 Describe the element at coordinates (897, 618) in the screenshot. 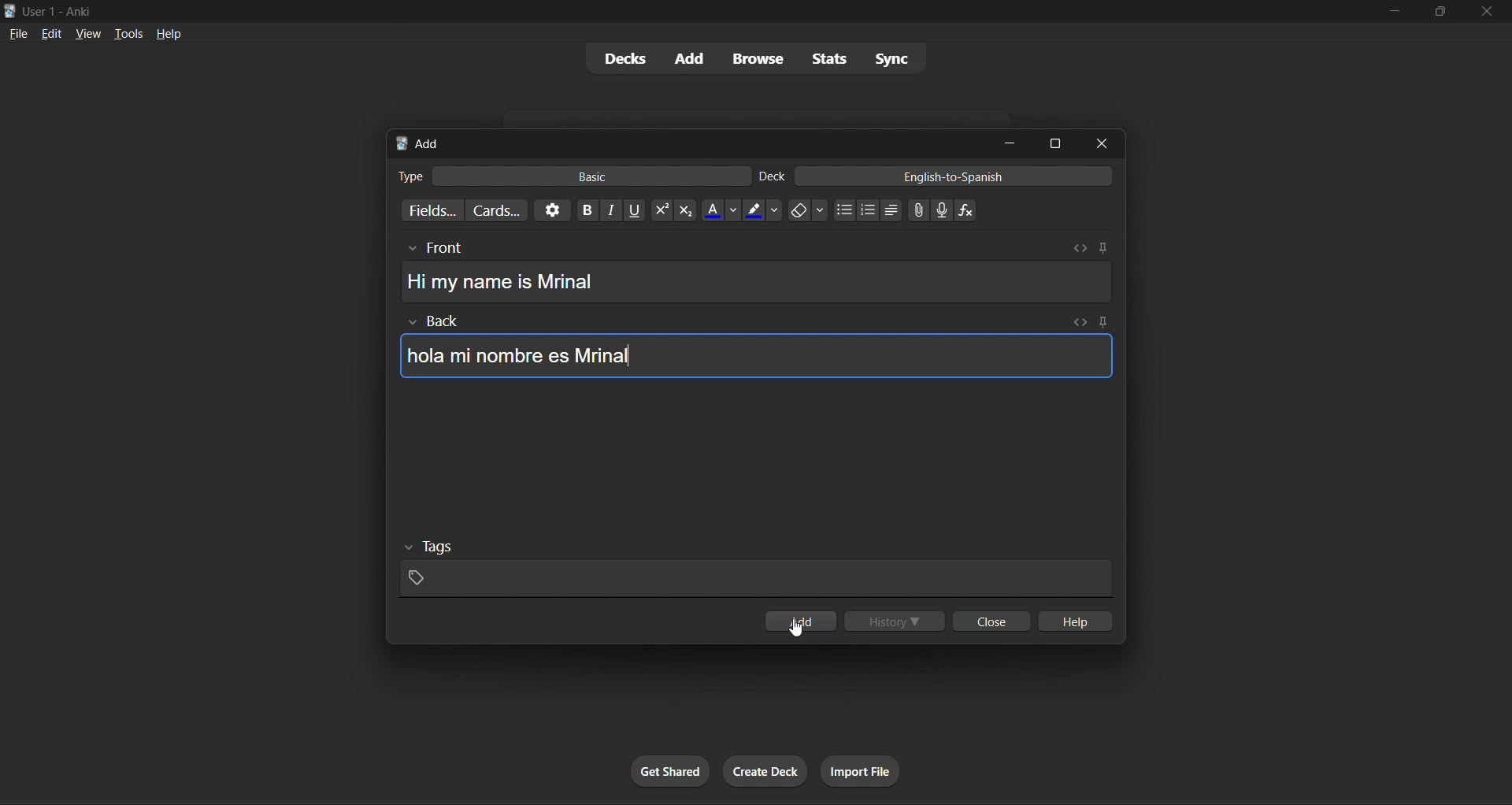

I see `history` at that location.